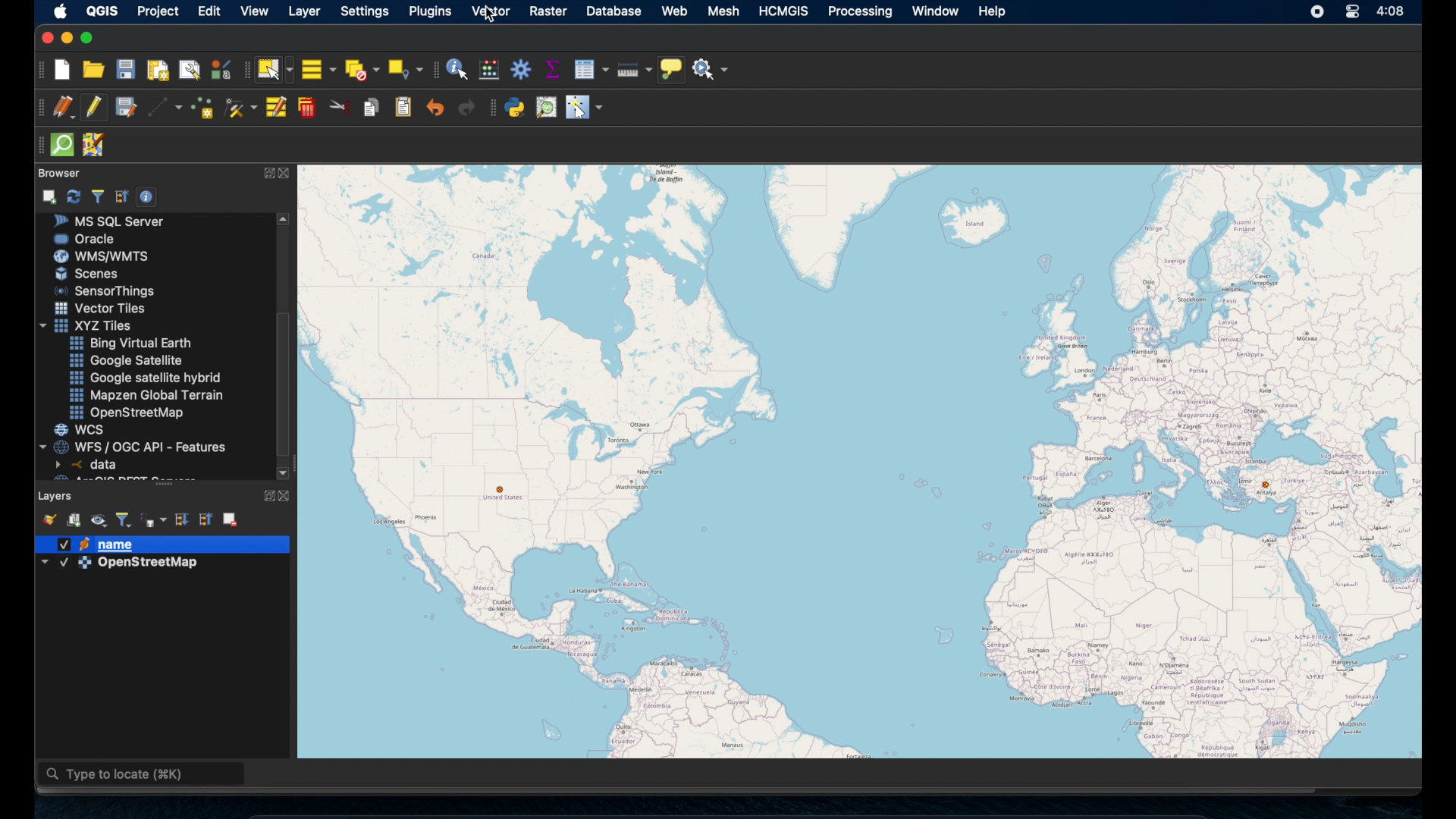  I want to click on close, so click(45, 38).